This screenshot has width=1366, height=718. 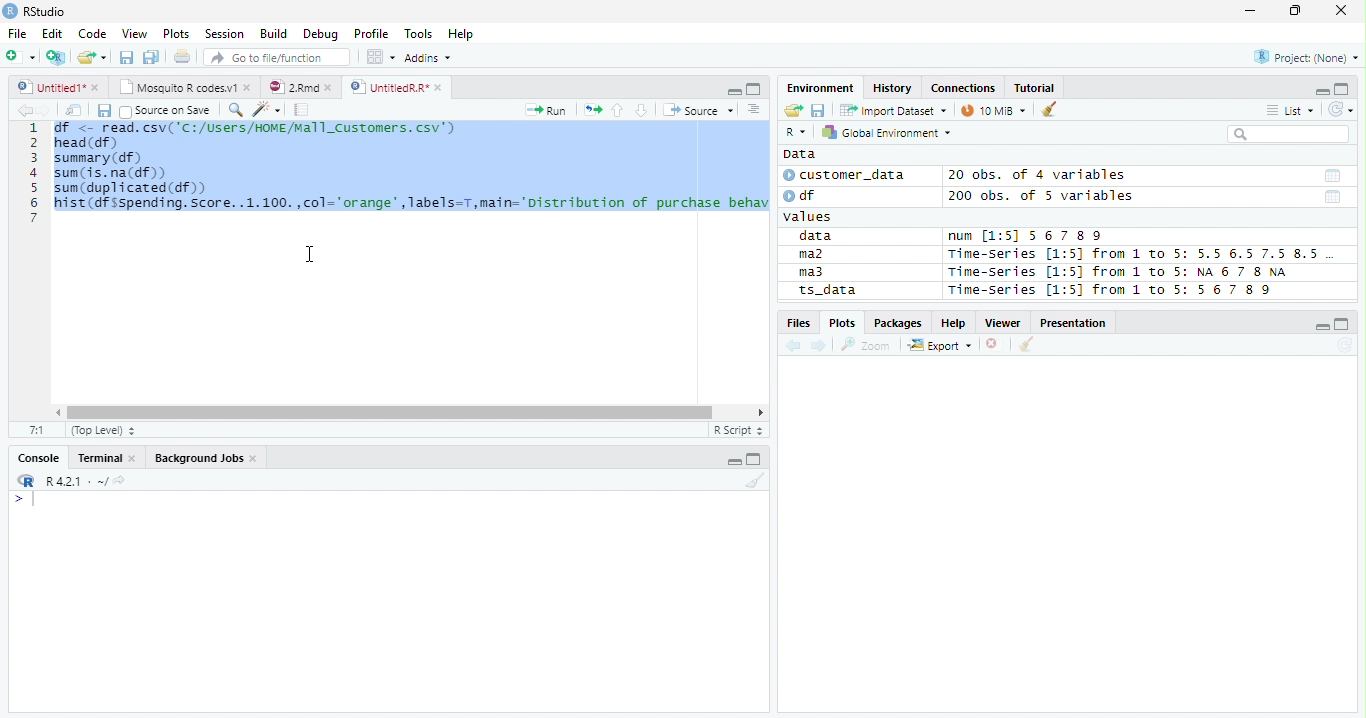 What do you see at coordinates (94, 34) in the screenshot?
I see `Code` at bounding box center [94, 34].